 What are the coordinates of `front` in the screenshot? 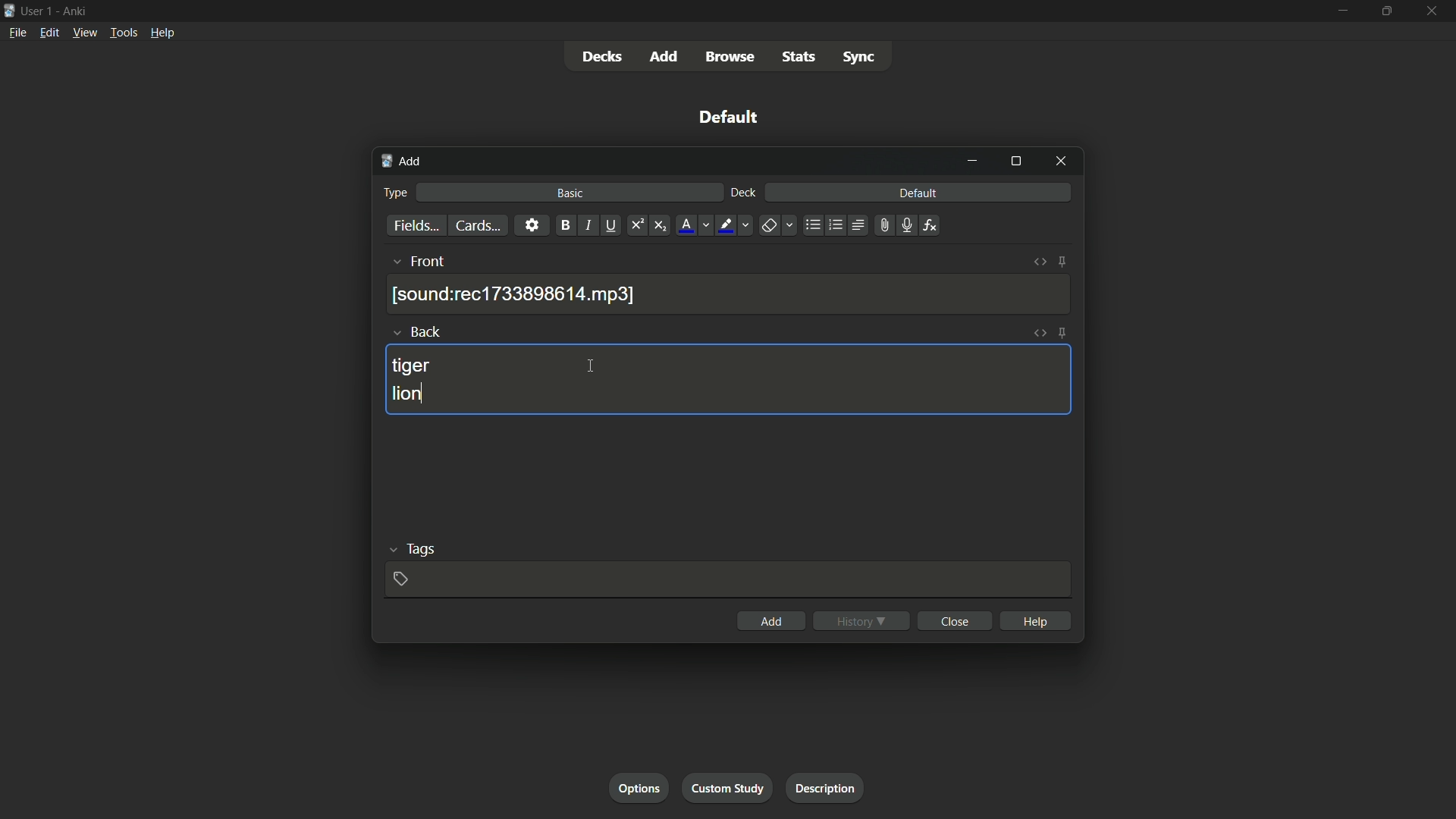 It's located at (429, 262).